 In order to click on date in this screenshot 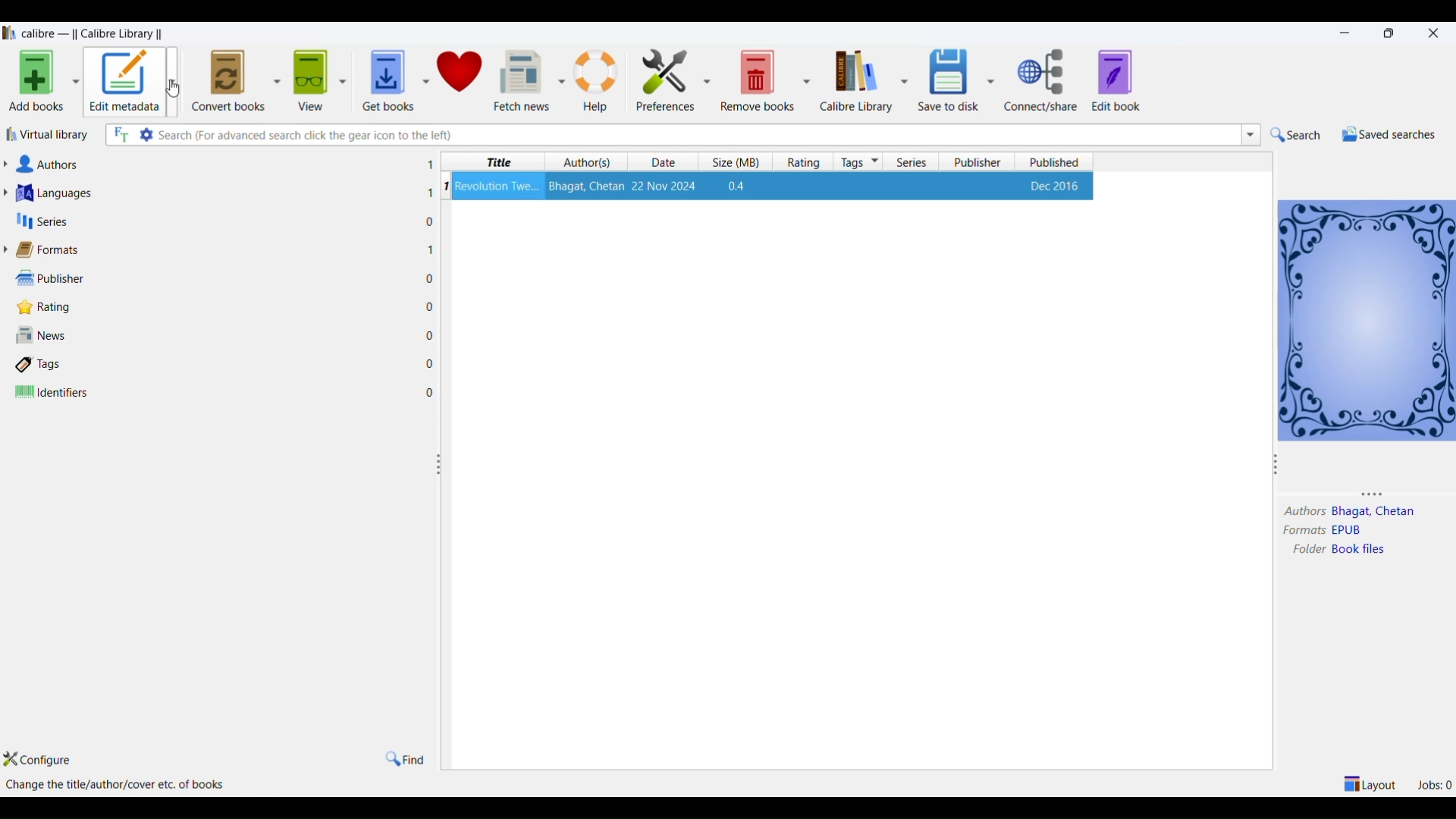, I will do `click(667, 163)`.